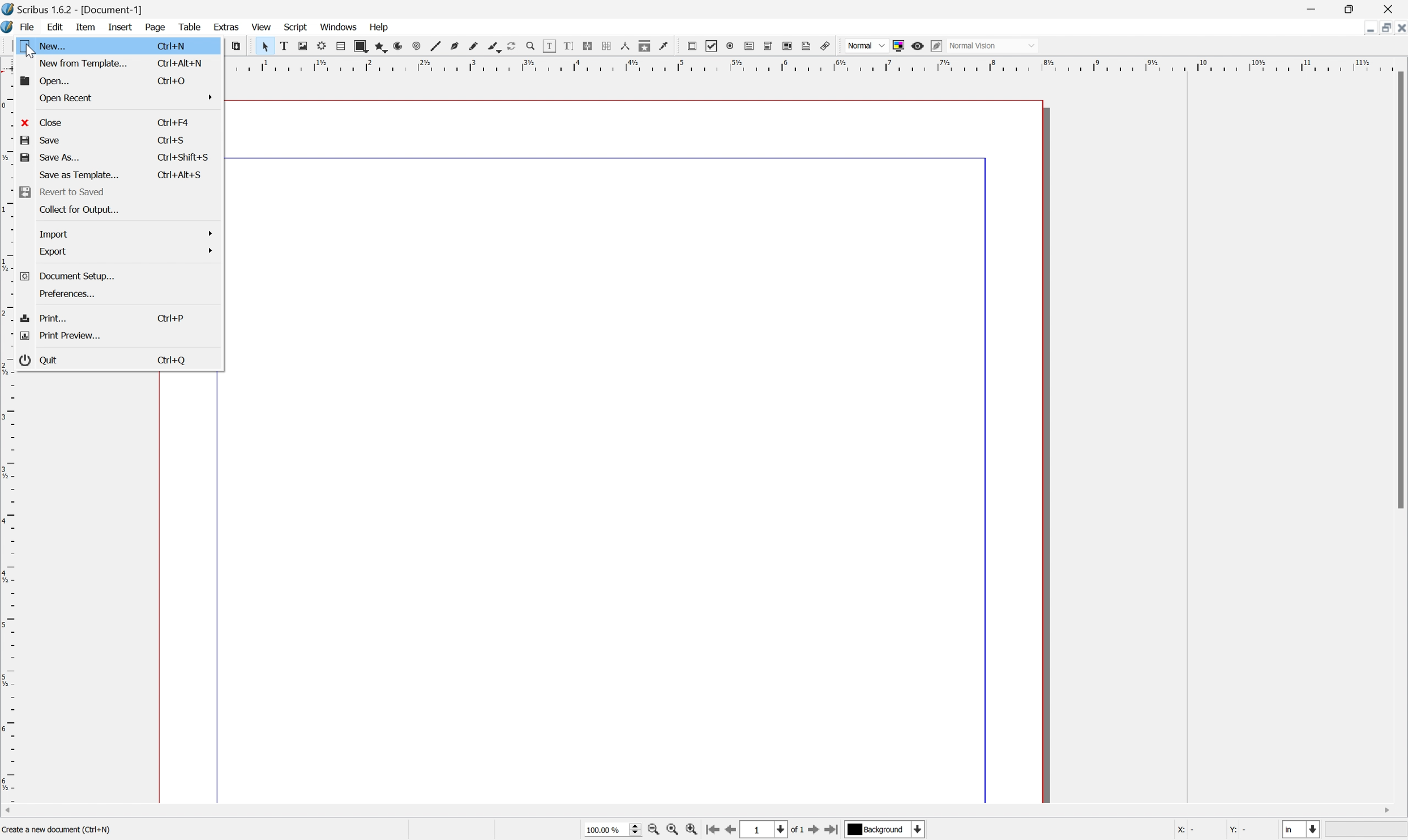  What do you see at coordinates (453, 46) in the screenshot?
I see `Bezier curve` at bounding box center [453, 46].